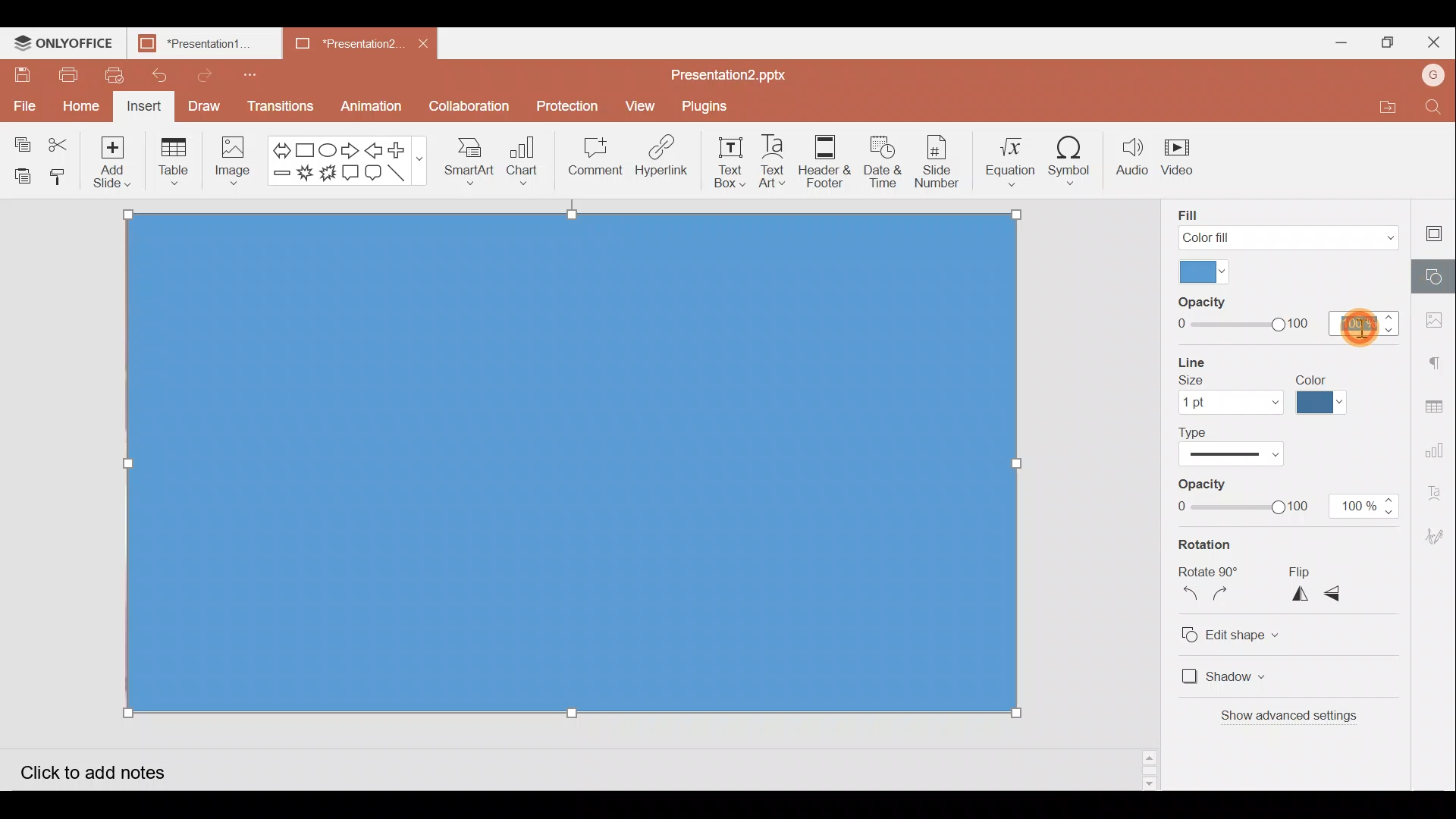 The width and height of the screenshot is (1456, 819). Describe the element at coordinates (104, 767) in the screenshot. I see `Click to add notes` at that location.